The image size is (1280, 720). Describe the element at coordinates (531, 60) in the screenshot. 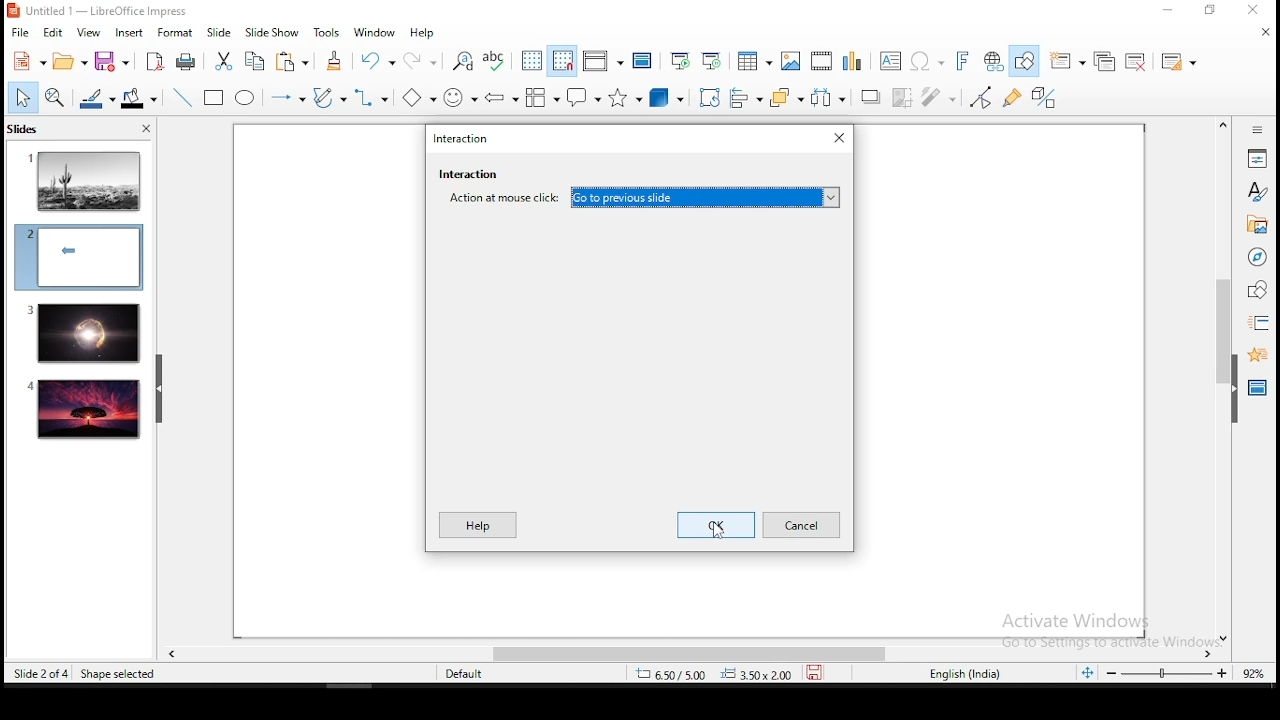

I see `display grid` at that location.